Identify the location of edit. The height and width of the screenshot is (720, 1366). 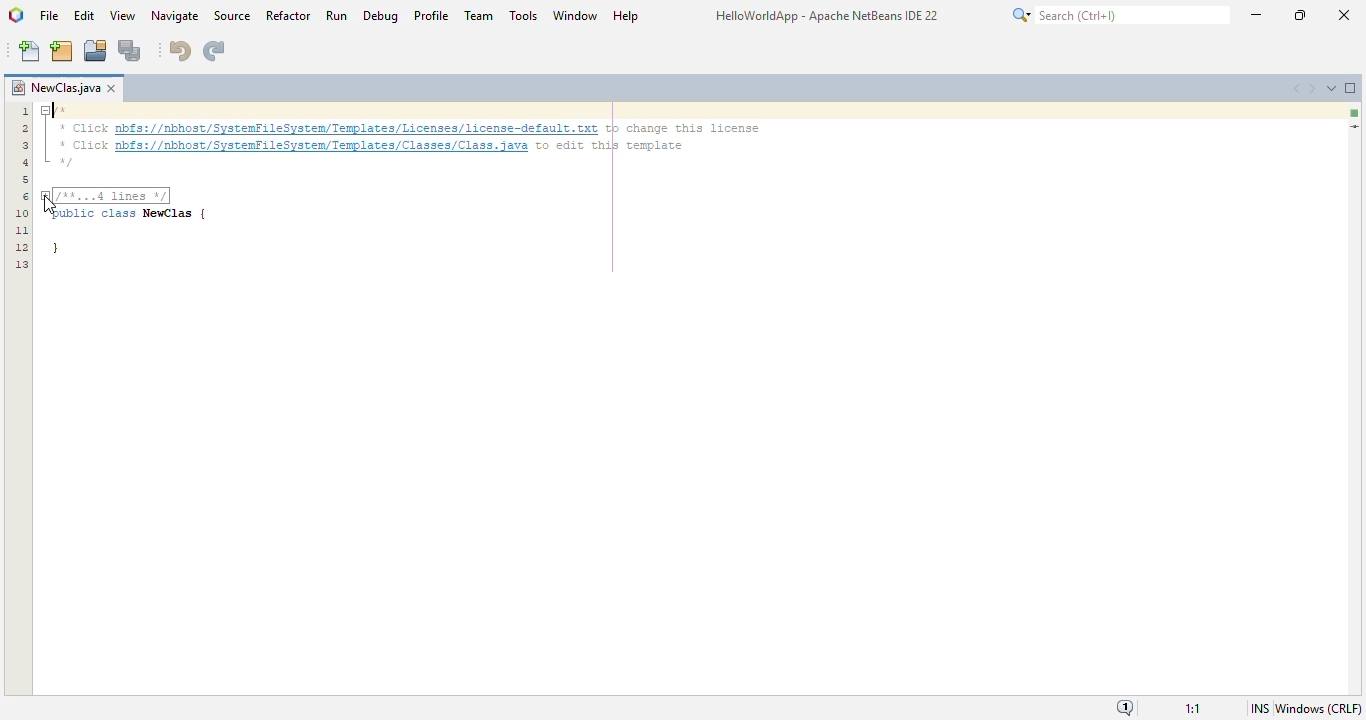
(85, 16).